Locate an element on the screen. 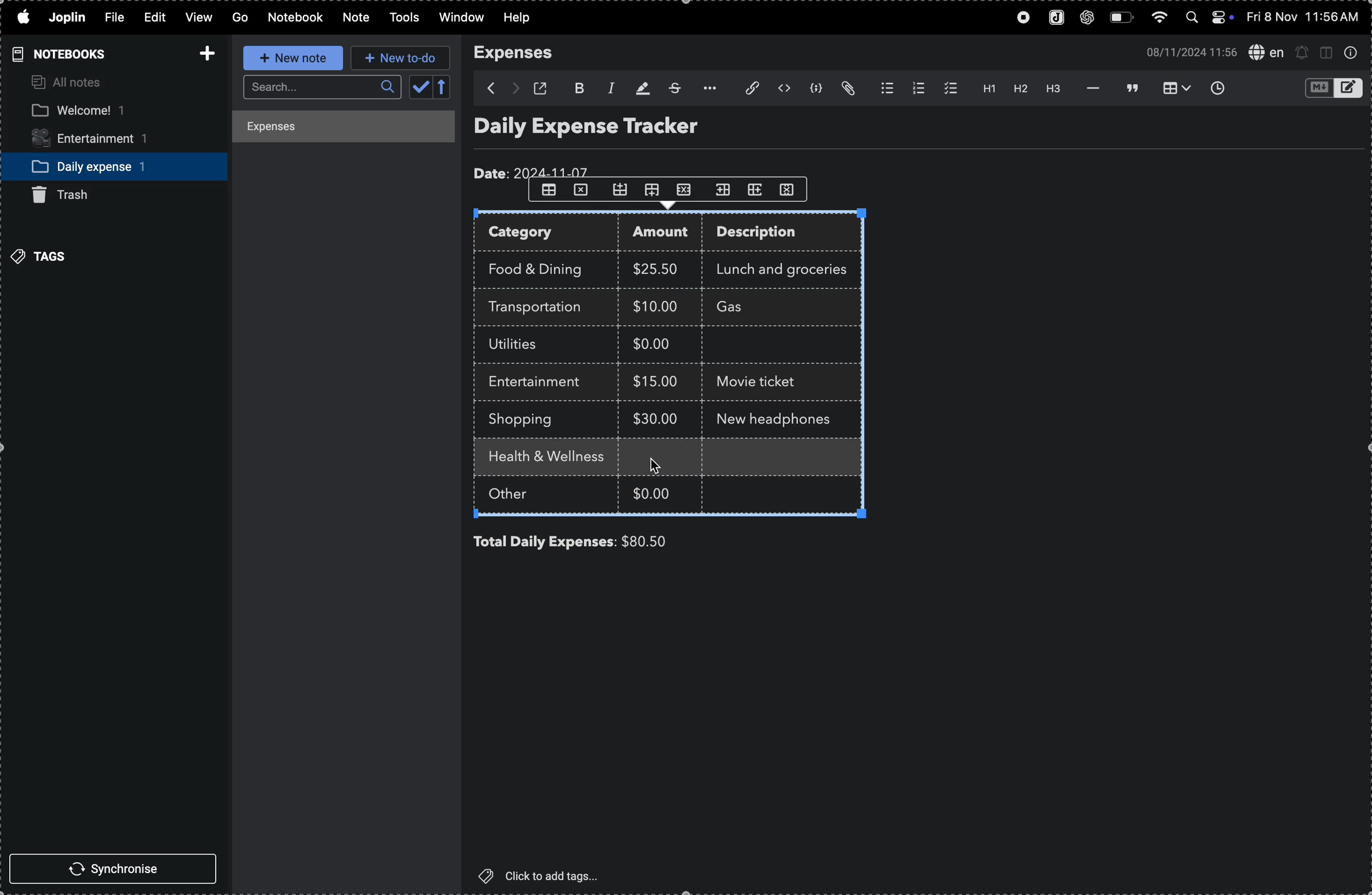 The height and width of the screenshot is (895, 1372). new to do is located at coordinates (401, 58).